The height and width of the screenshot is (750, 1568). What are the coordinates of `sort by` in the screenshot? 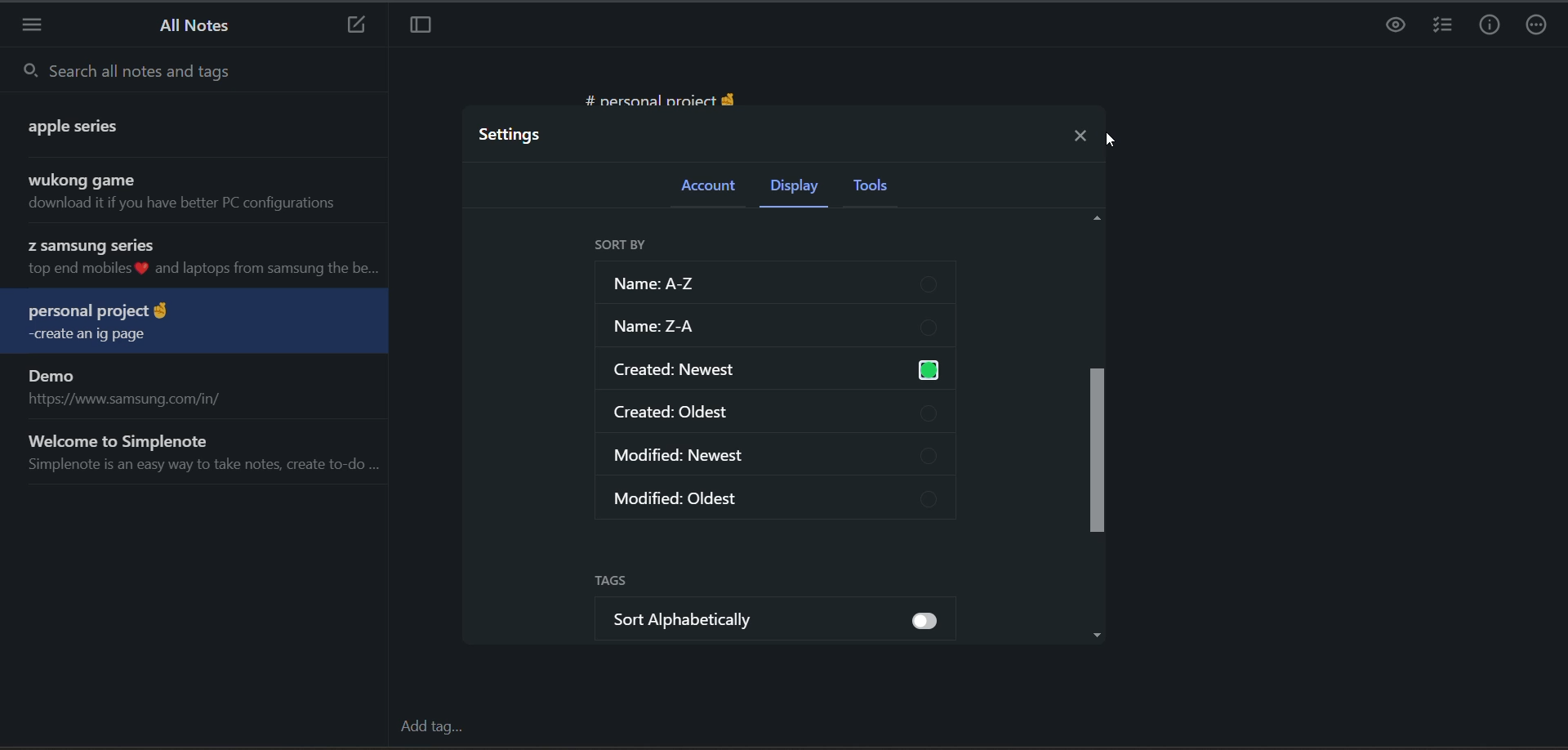 It's located at (621, 243).